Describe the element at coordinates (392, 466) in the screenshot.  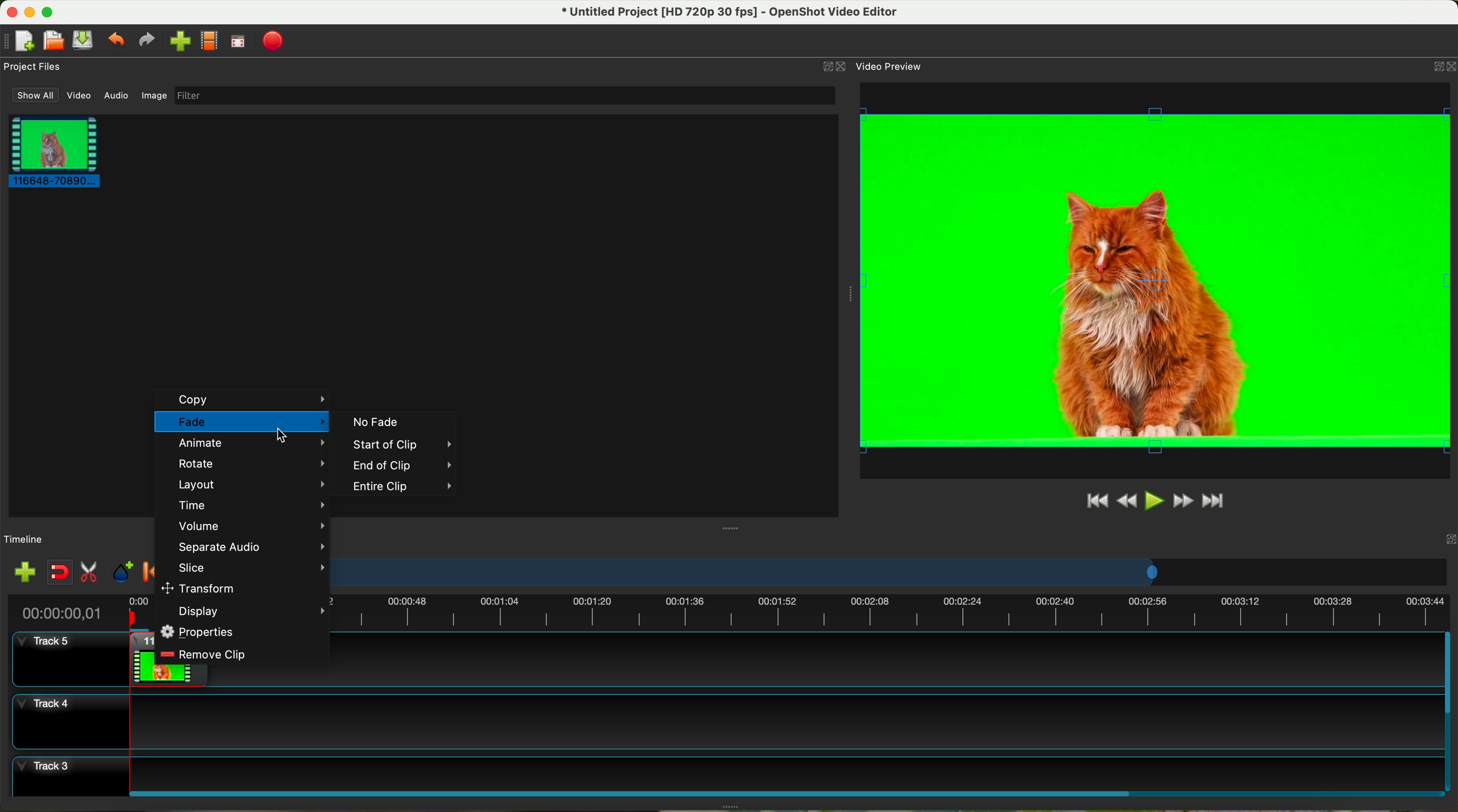
I see `click on end of clip` at that location.